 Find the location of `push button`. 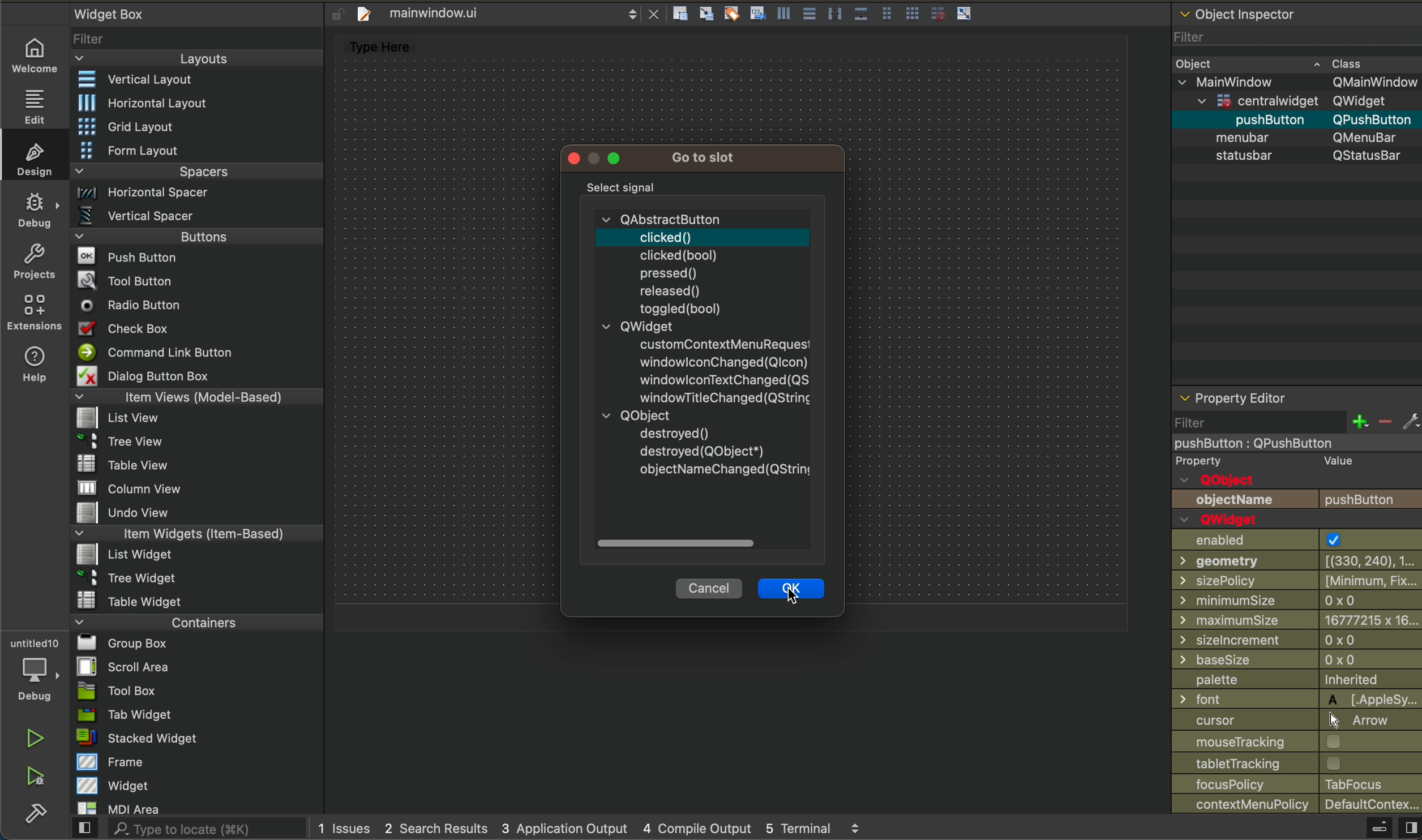

push button is located at coordinates (1297, 501).